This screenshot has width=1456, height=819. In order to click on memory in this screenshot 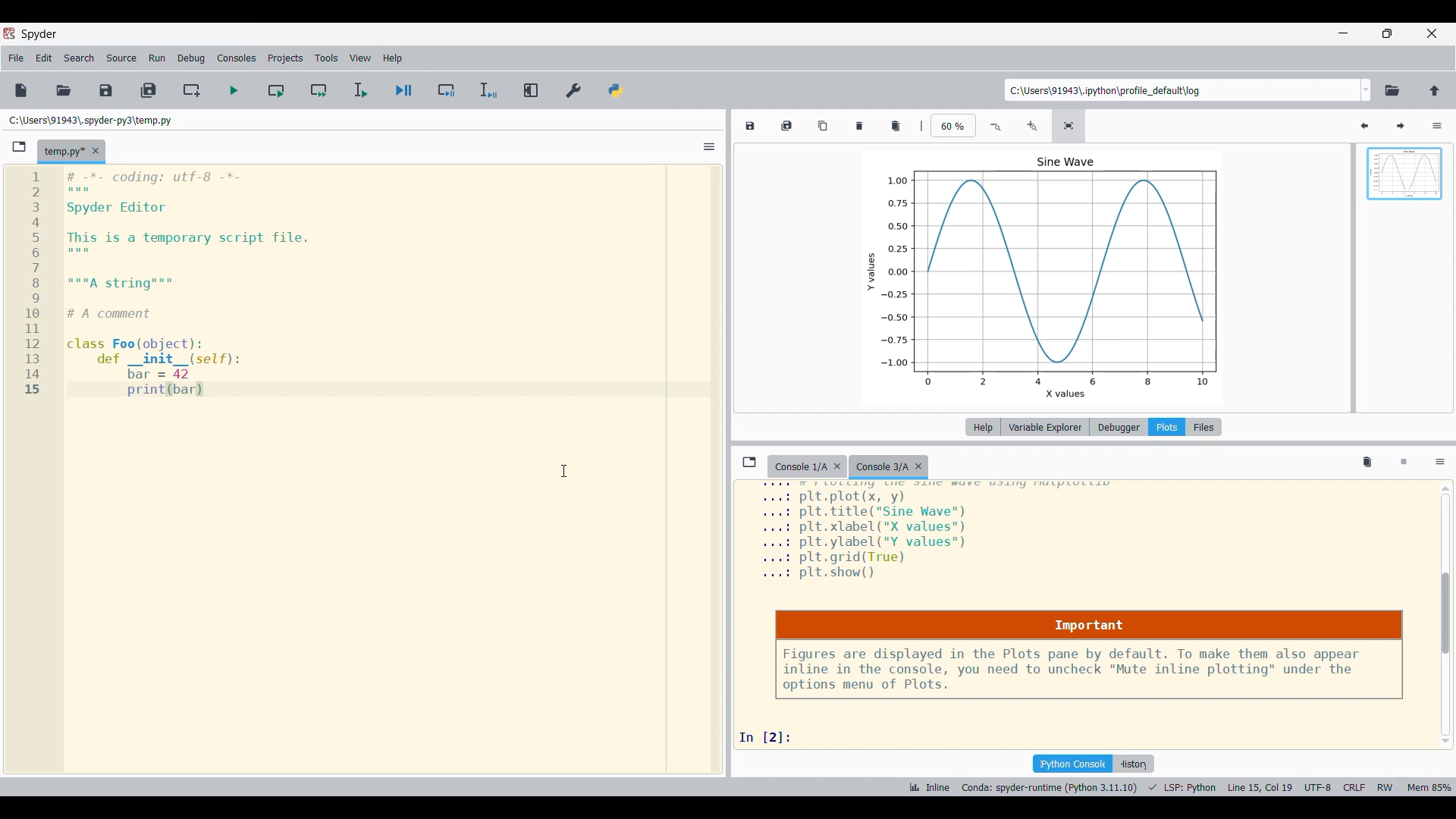, I will do `click(1430, 786)`.